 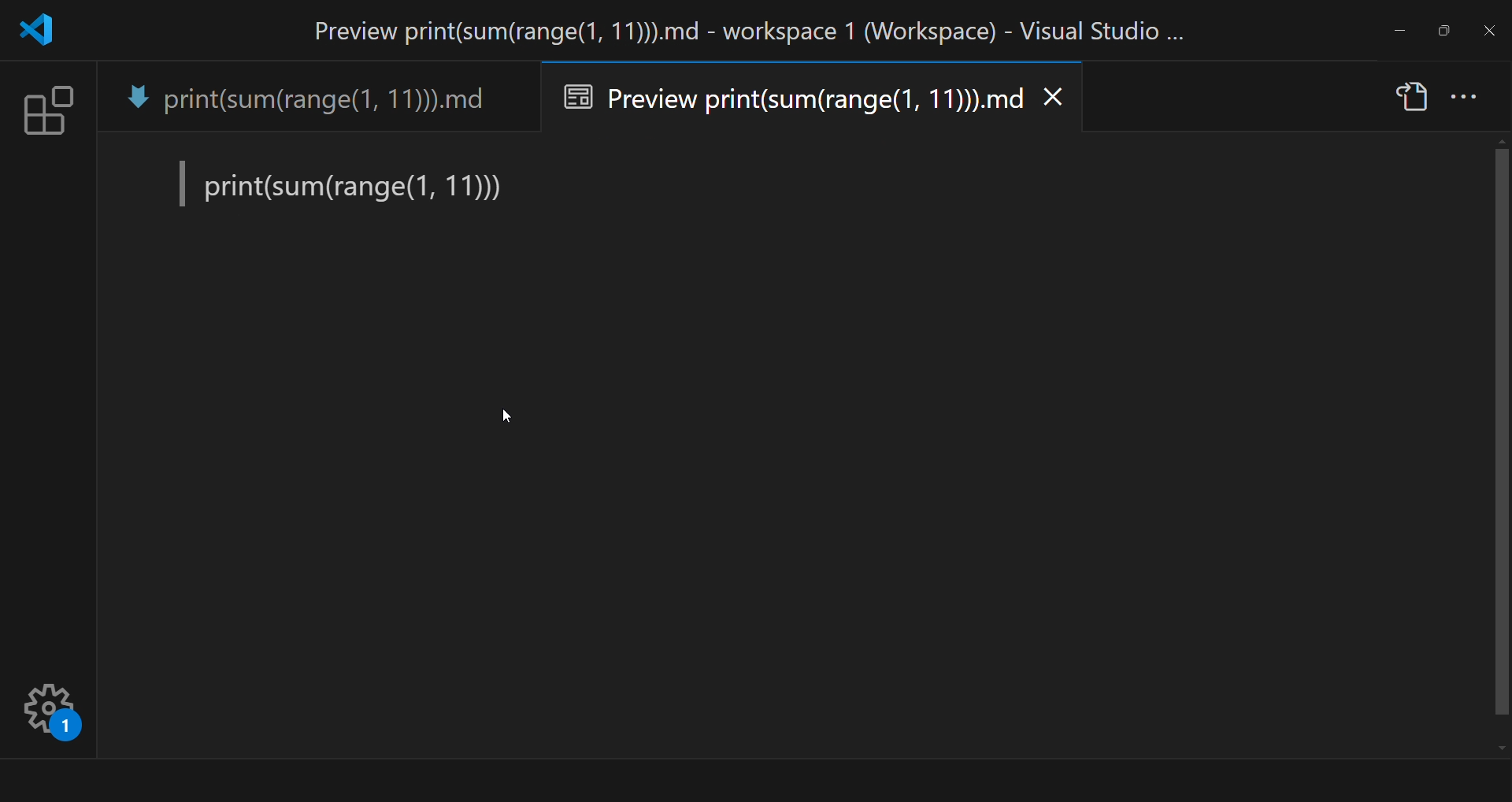 I want to click on Manage, so click(x=53, y=714).